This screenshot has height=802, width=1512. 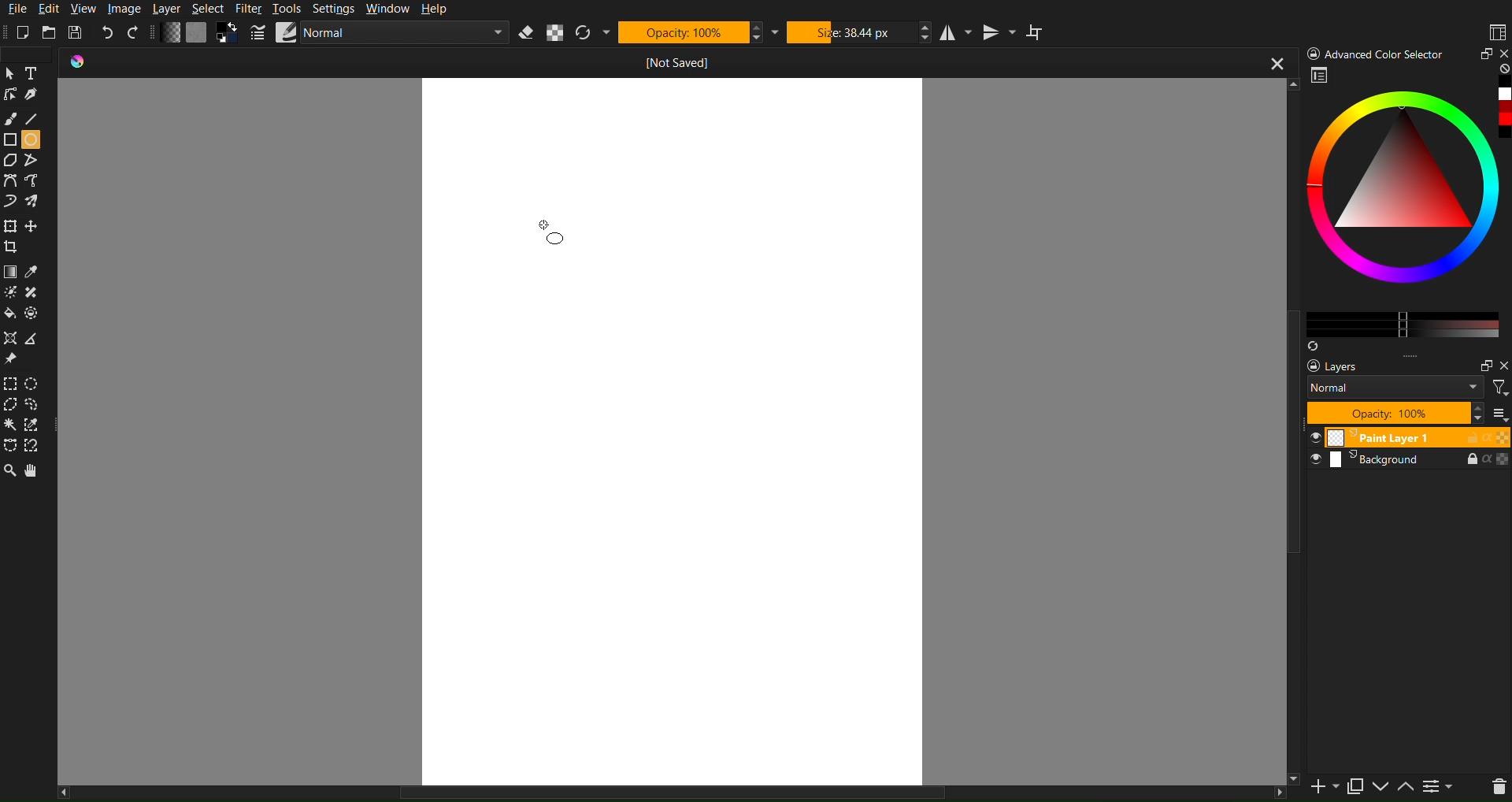 I want to click on Curve  tool, so click(x=35, y=182).